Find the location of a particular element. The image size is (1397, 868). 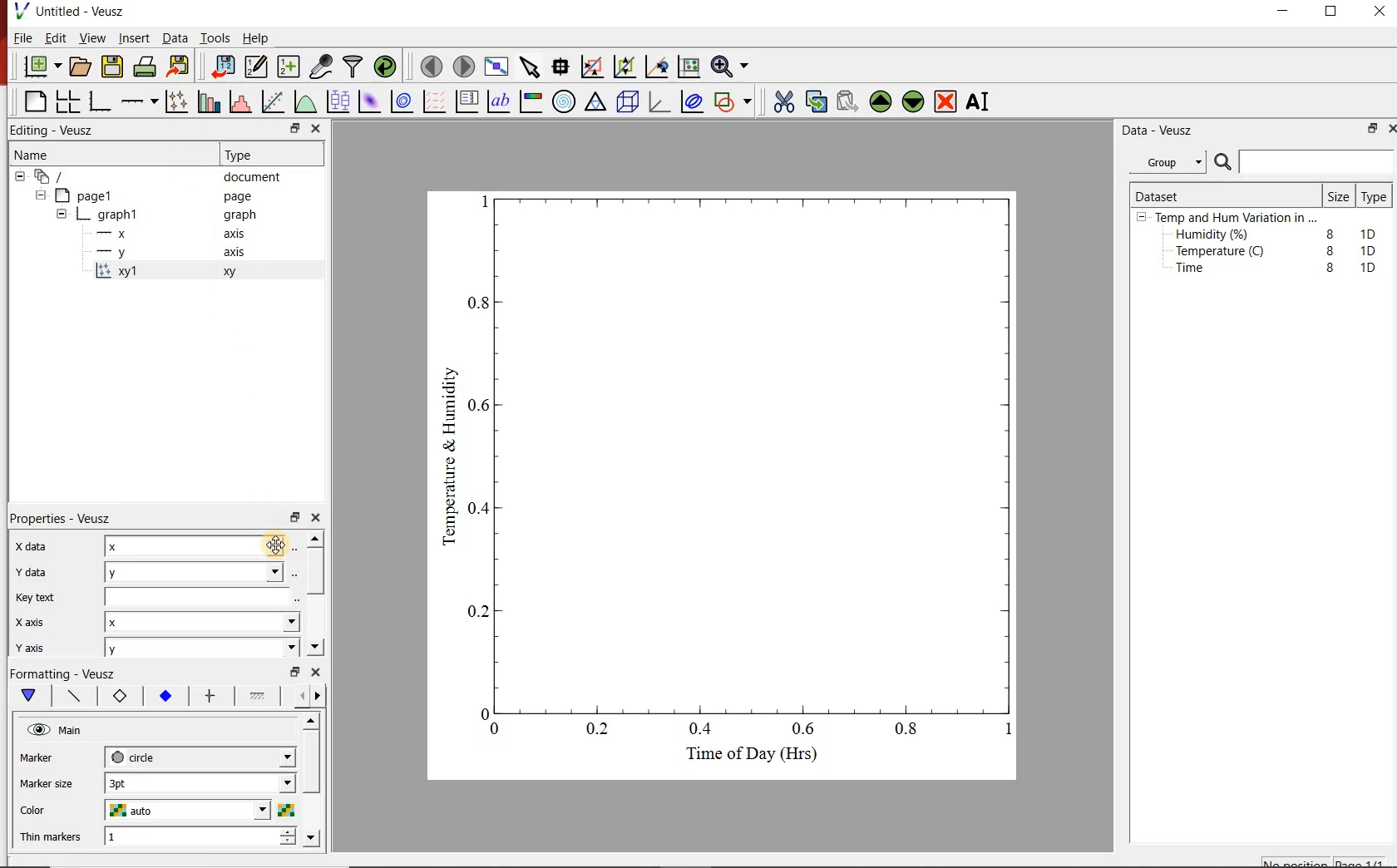

Temperature (C) is located at coordinates (1223, 253).